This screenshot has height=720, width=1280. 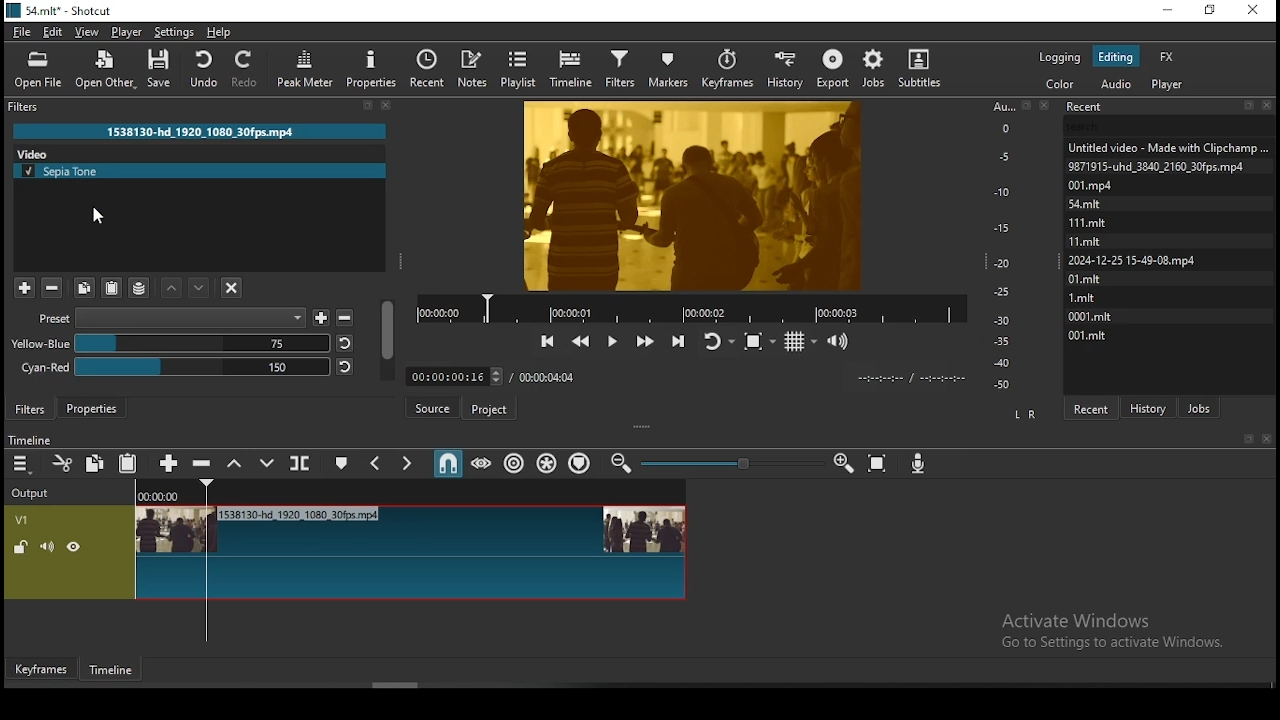 I want to click on project, so click(x=489, y=409).